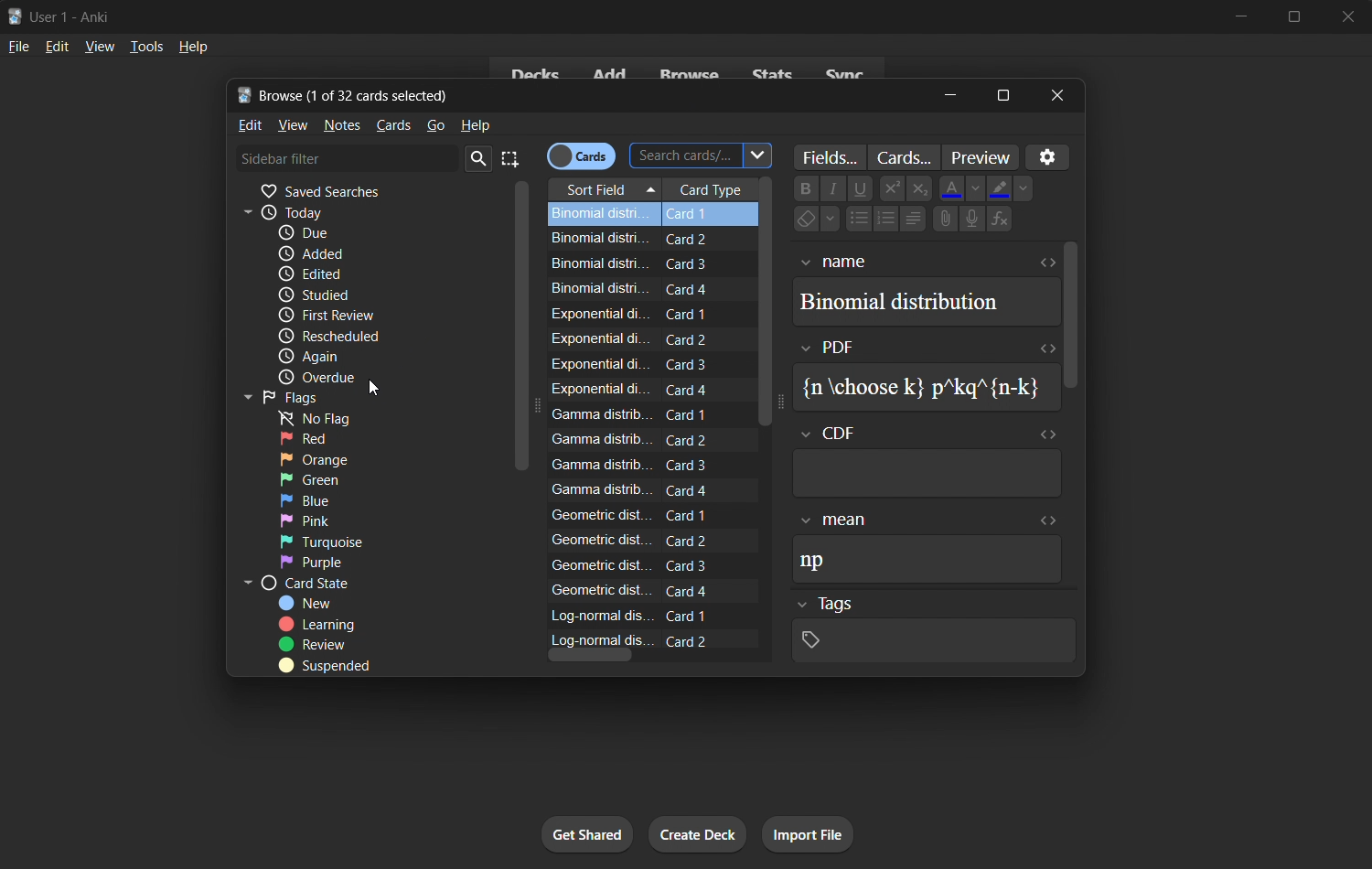  Describe the element at coordinates (698, 490) in the screenshot. I see `Card 4` at that location.